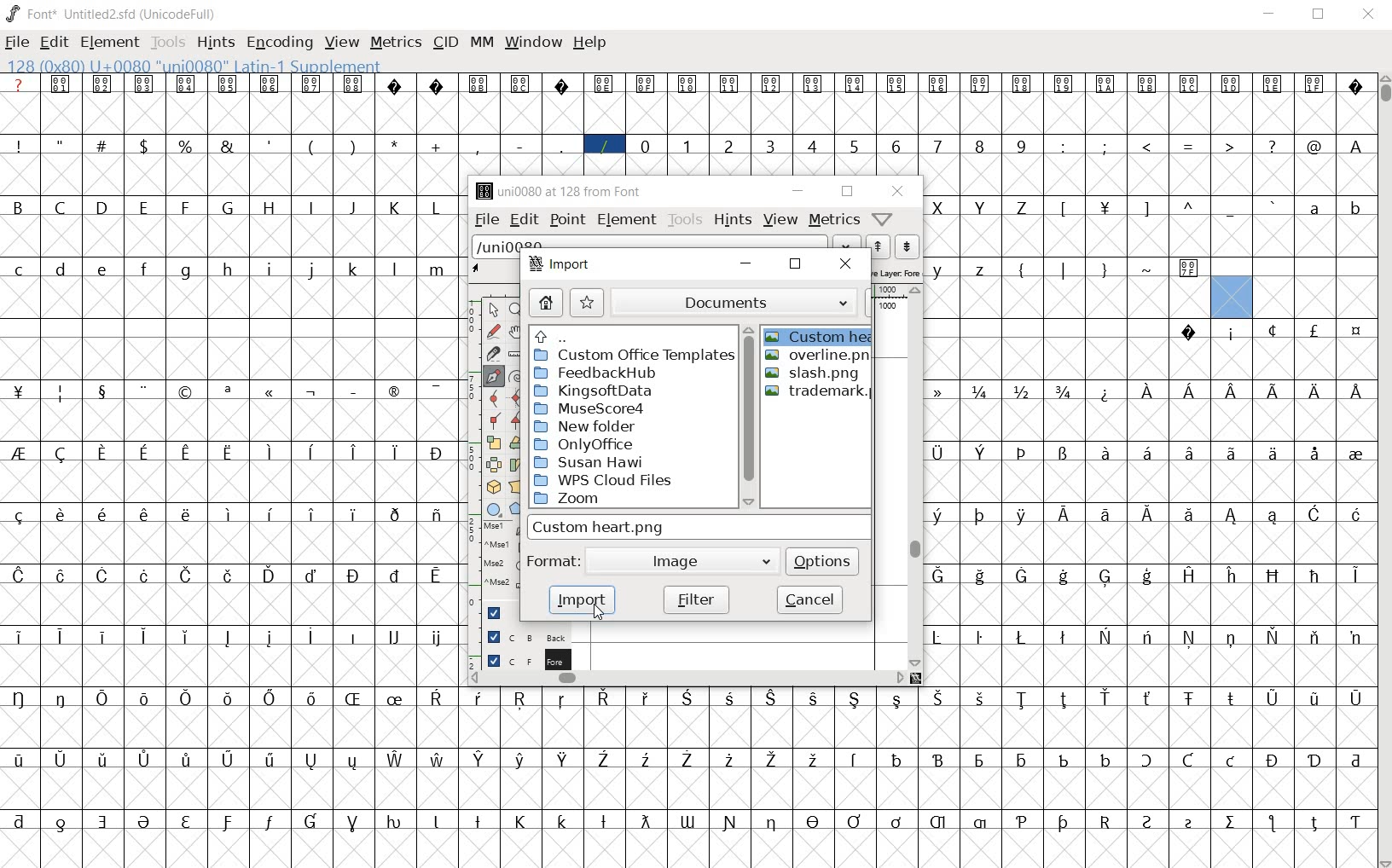 This screenshot has width=1392, height=868. What do you see at coordinates (847, 192) in the screenshot?
I see `restore` at bounding box center [847, 192].